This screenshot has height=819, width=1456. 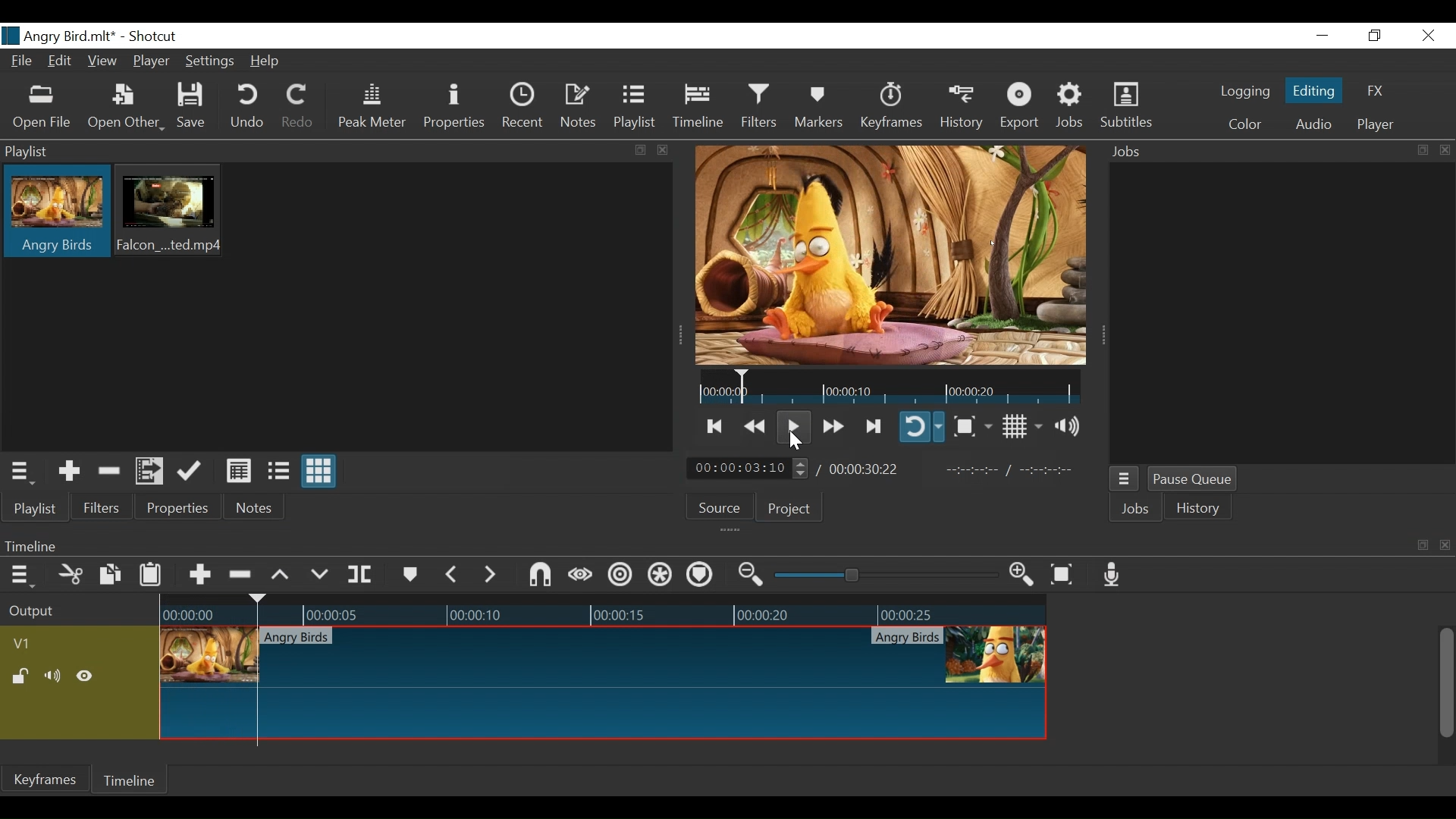 I want to click on Next Marker, so click(x=490, y=574).